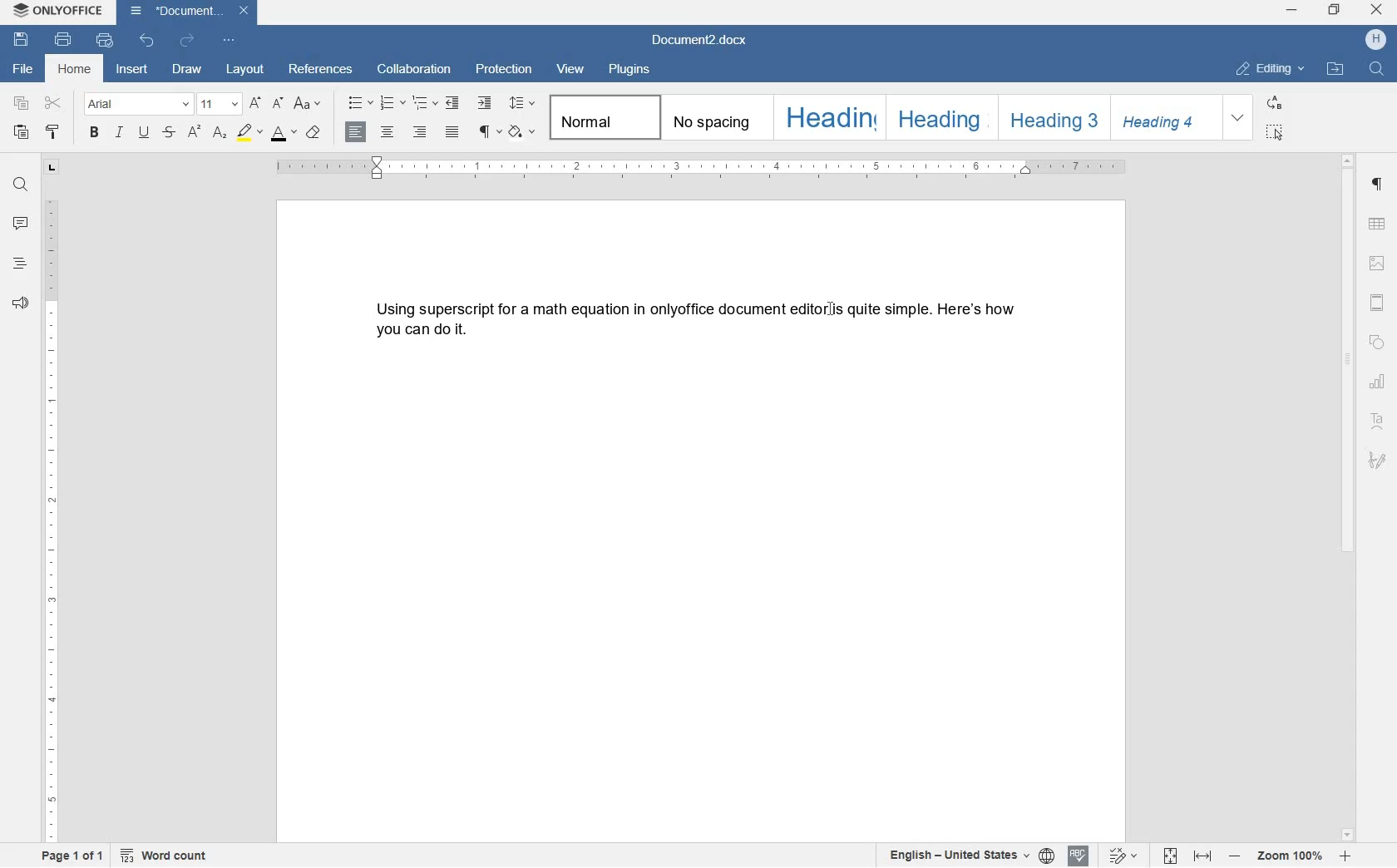 This screenshot has height=868, width=1397. I want to click on FIND, so click(1375, 69).